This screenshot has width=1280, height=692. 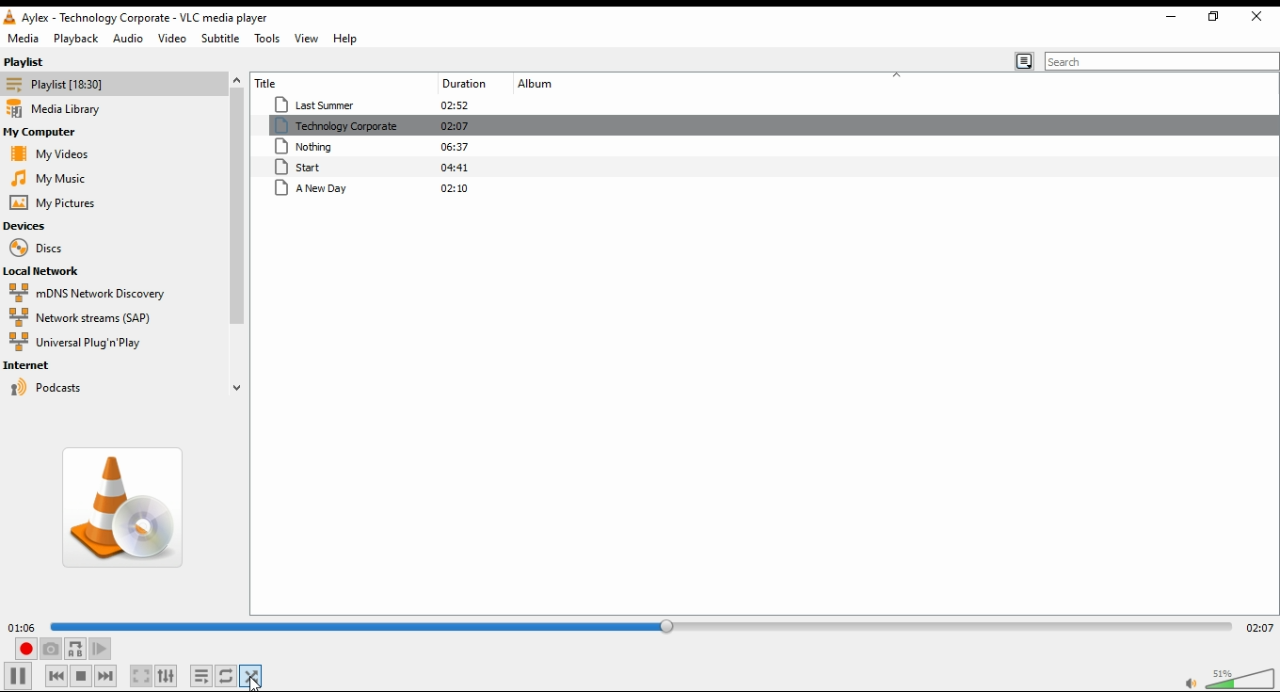 I want to click on seek bar, so click(x=641, y=625).